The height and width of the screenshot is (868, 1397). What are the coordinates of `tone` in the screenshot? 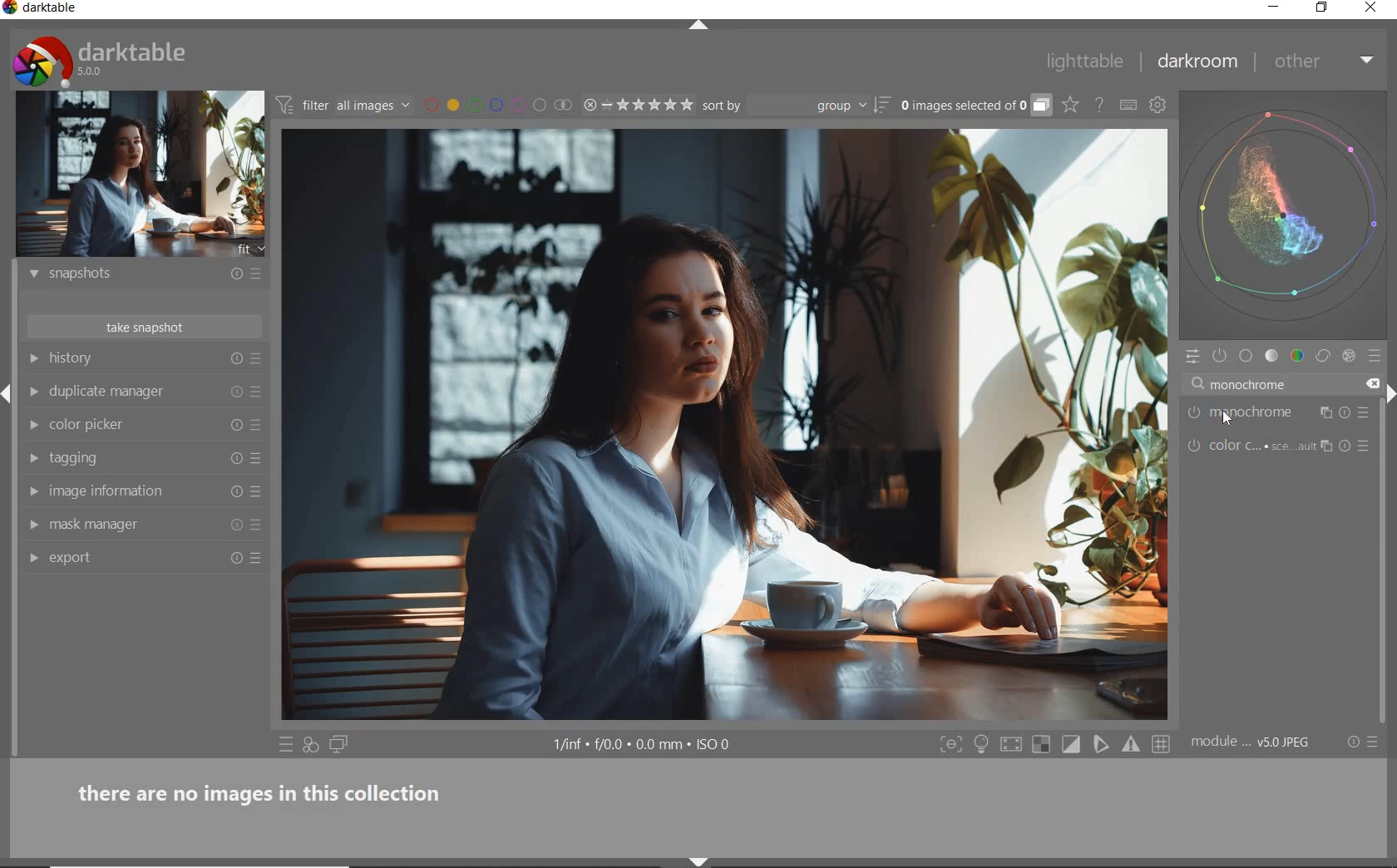 It's located at (1272, 358).